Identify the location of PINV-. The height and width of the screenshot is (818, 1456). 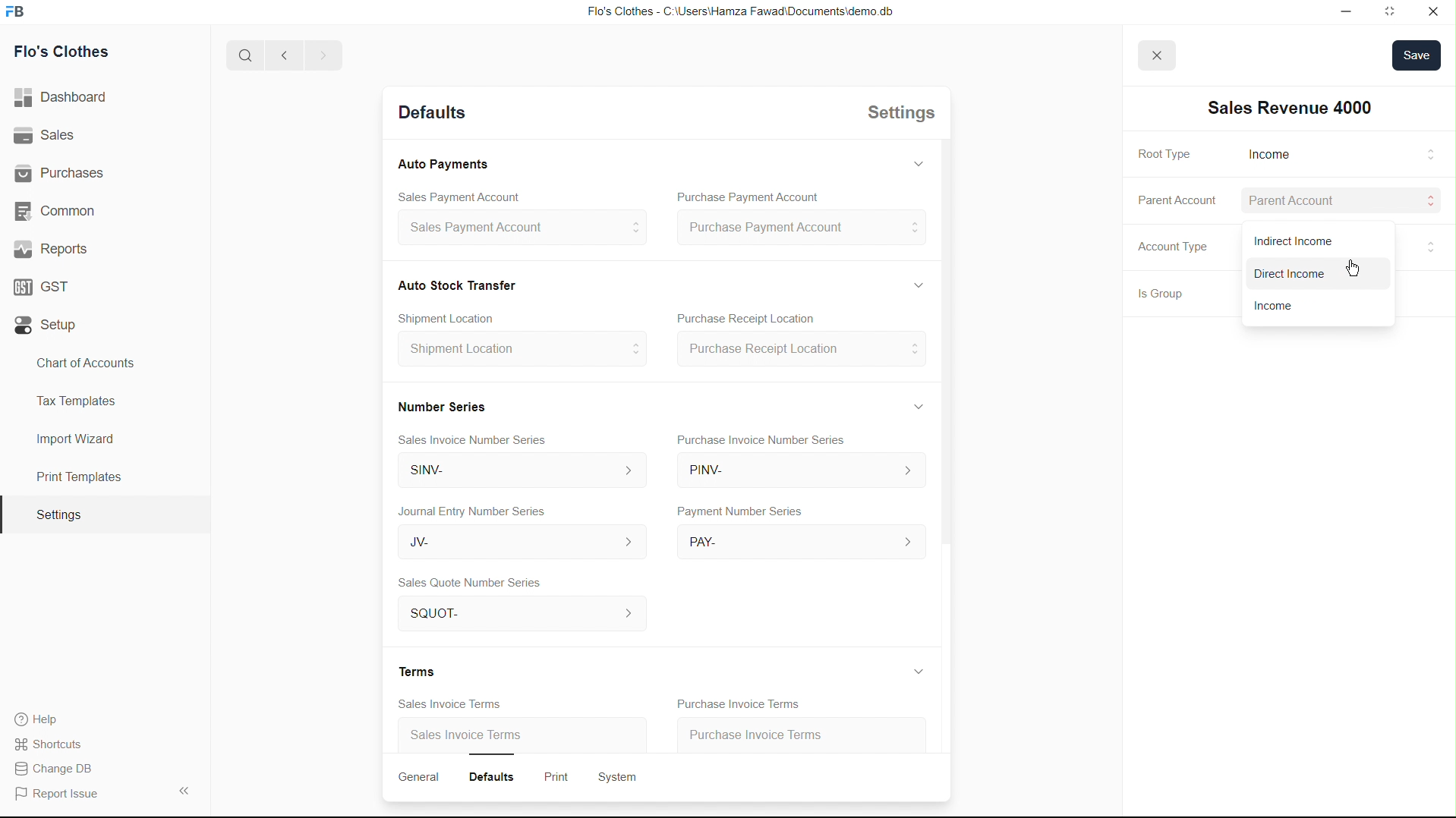
(799, 473).